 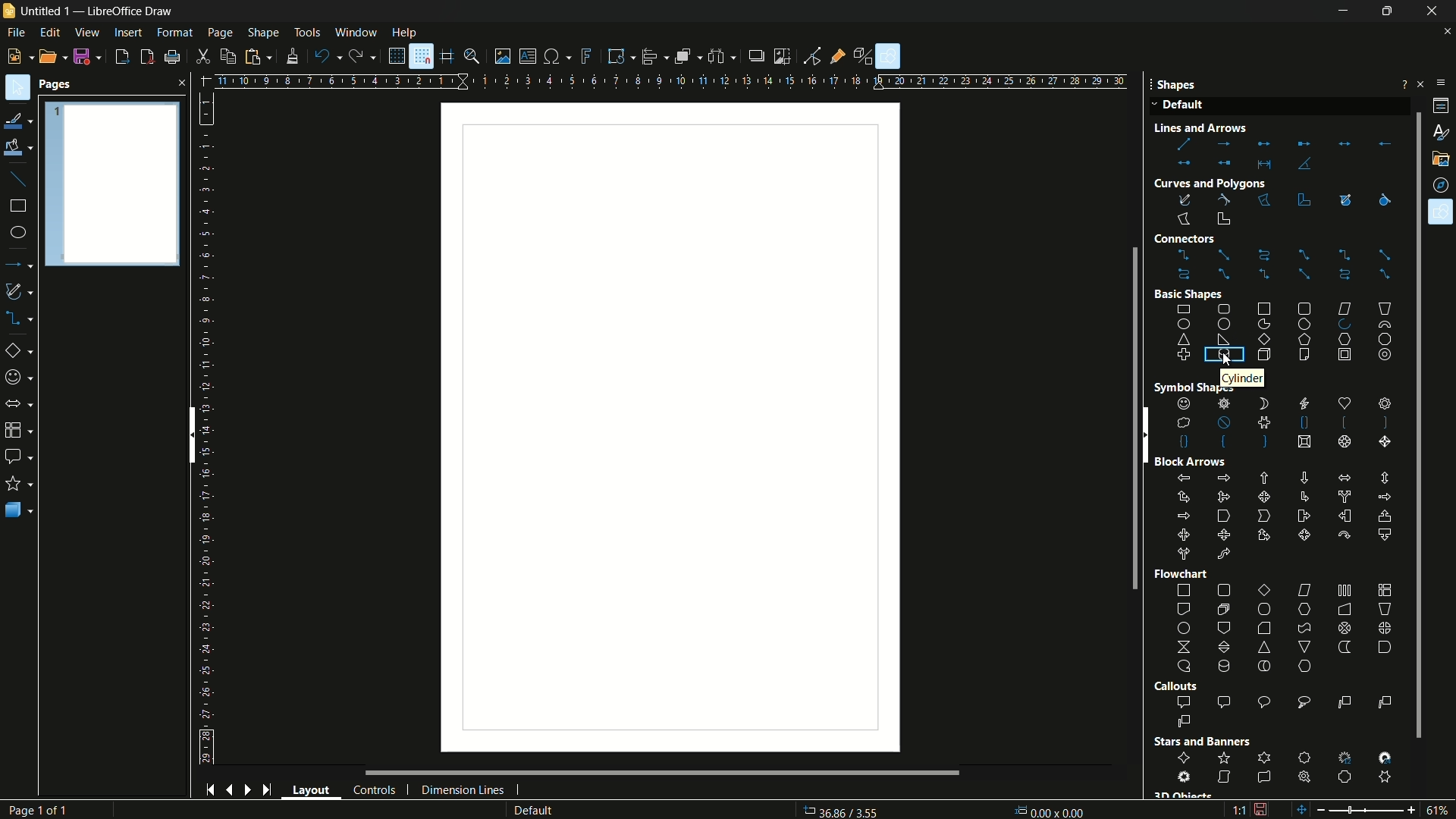 What do you see at coordinates (49, 33) in the screenshot?
I see `edit menu` at bounding box center [49, 33].